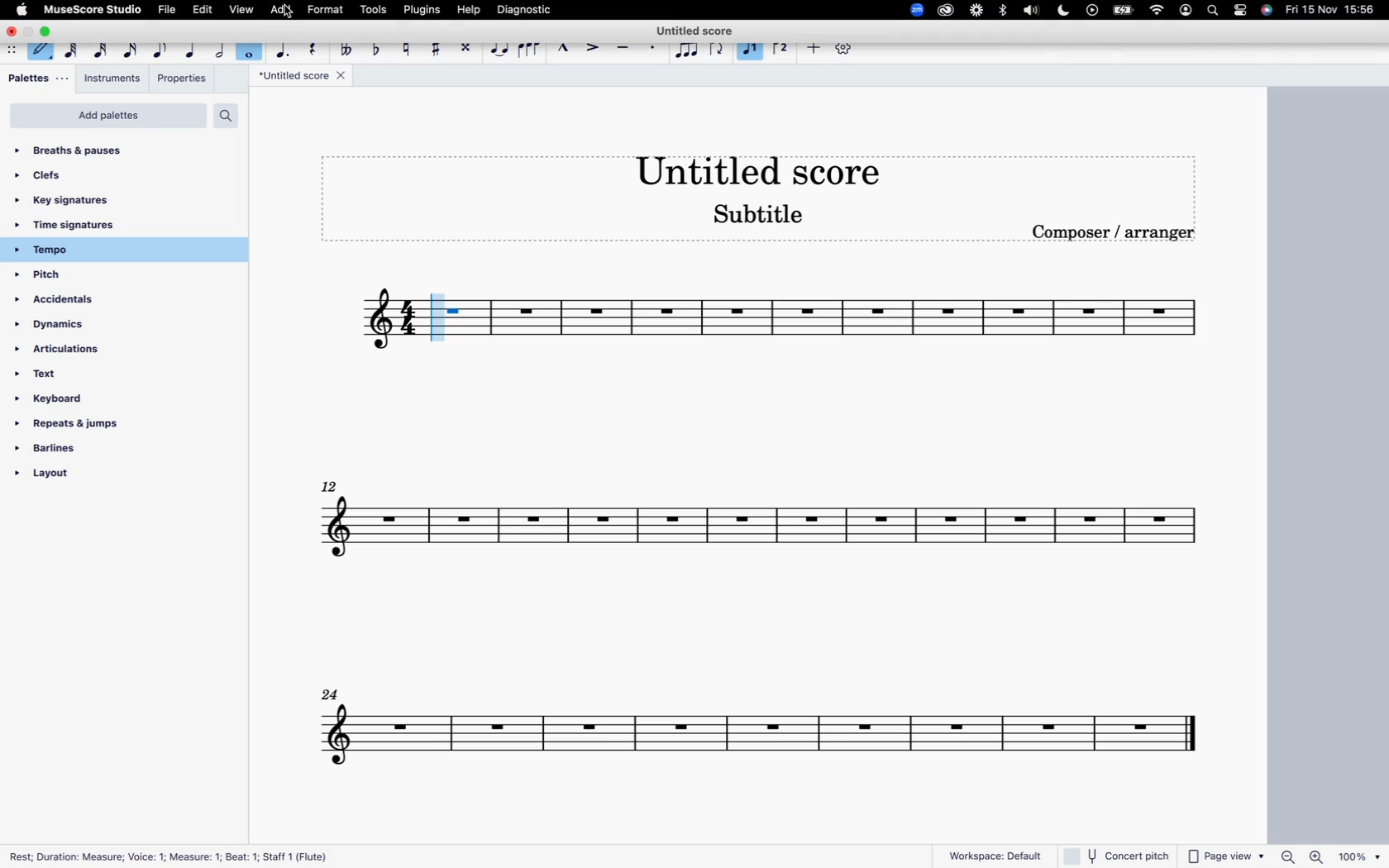 The height and width of the screenshot is (868, 1389). Describe the element at coordinates (466, 9) in the screenshot. I see `help` at that location.